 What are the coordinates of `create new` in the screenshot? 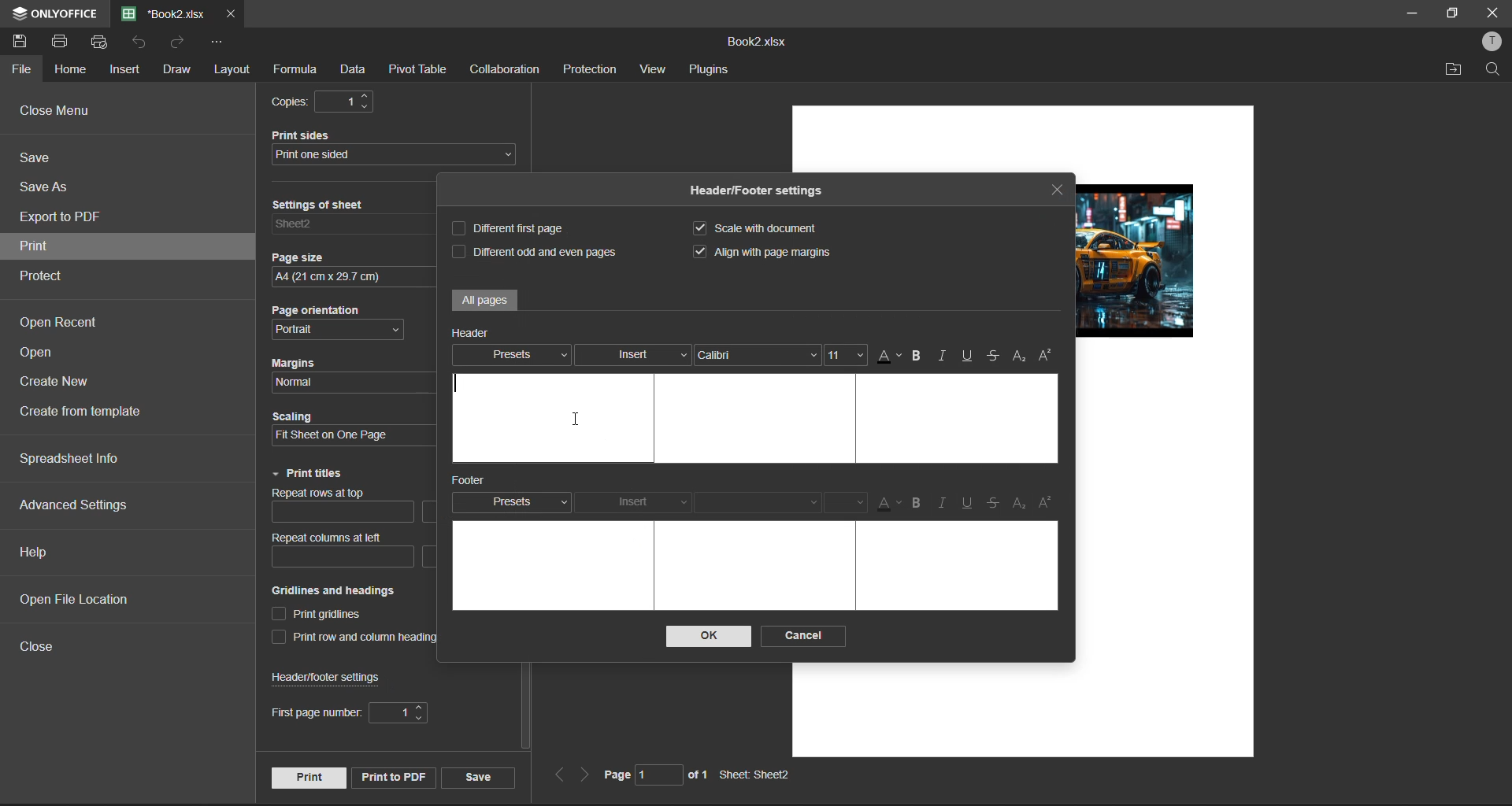 It's located at (56, 386).